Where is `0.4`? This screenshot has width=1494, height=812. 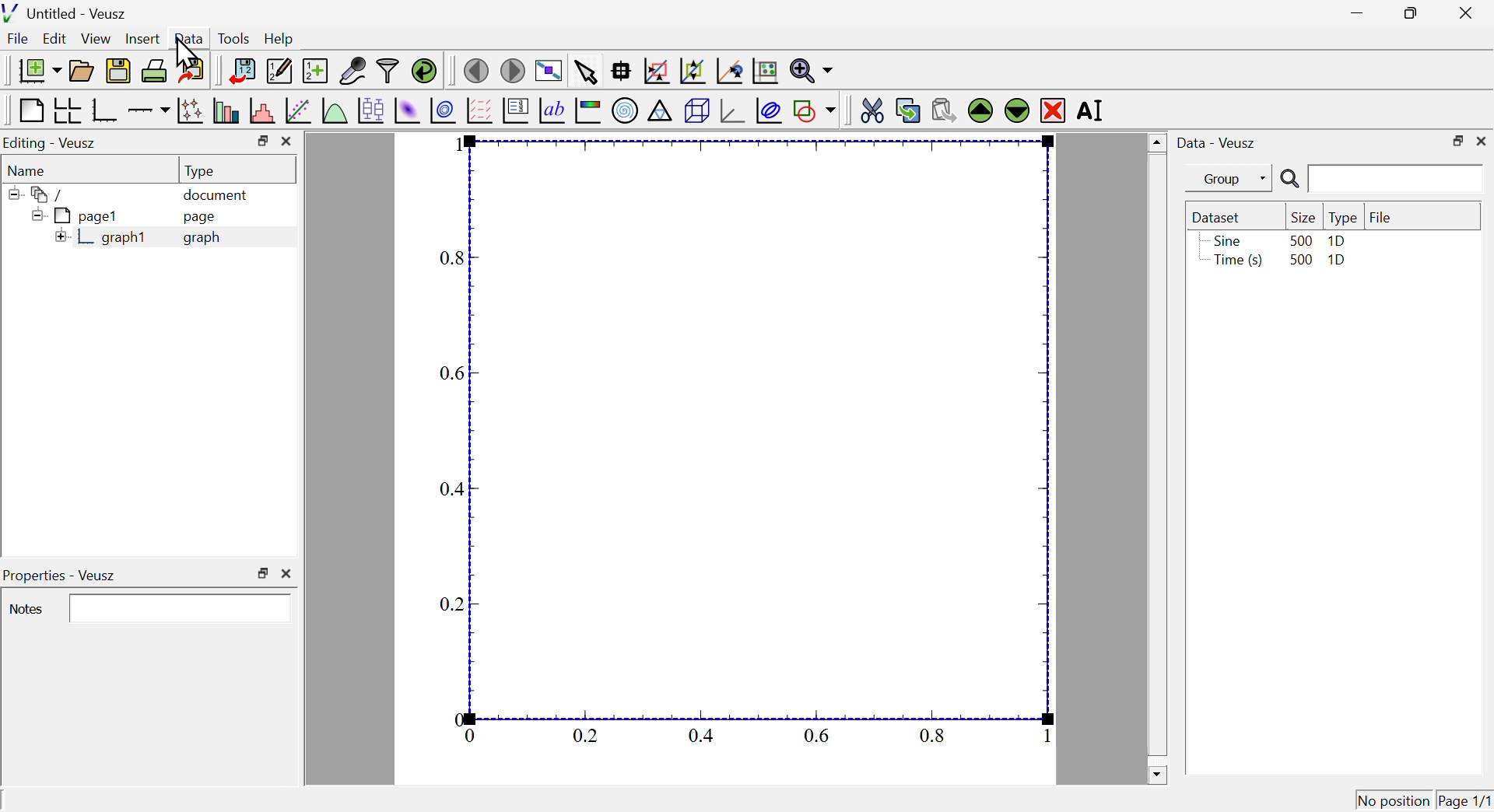 0.4 is located at coordinates (701, 735).